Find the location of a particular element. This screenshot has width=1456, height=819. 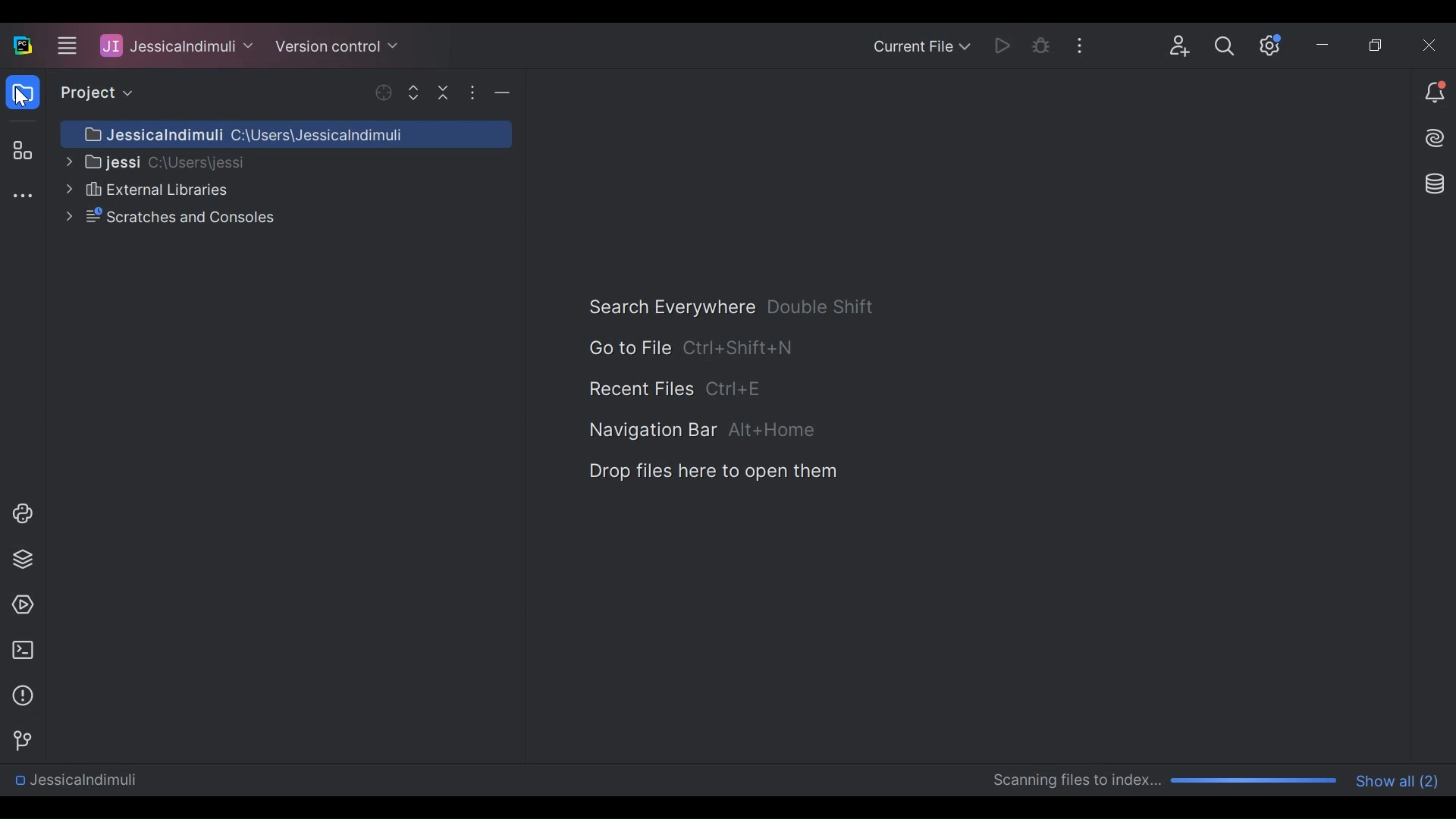

Collapse All is located at coordinates (443, 93).